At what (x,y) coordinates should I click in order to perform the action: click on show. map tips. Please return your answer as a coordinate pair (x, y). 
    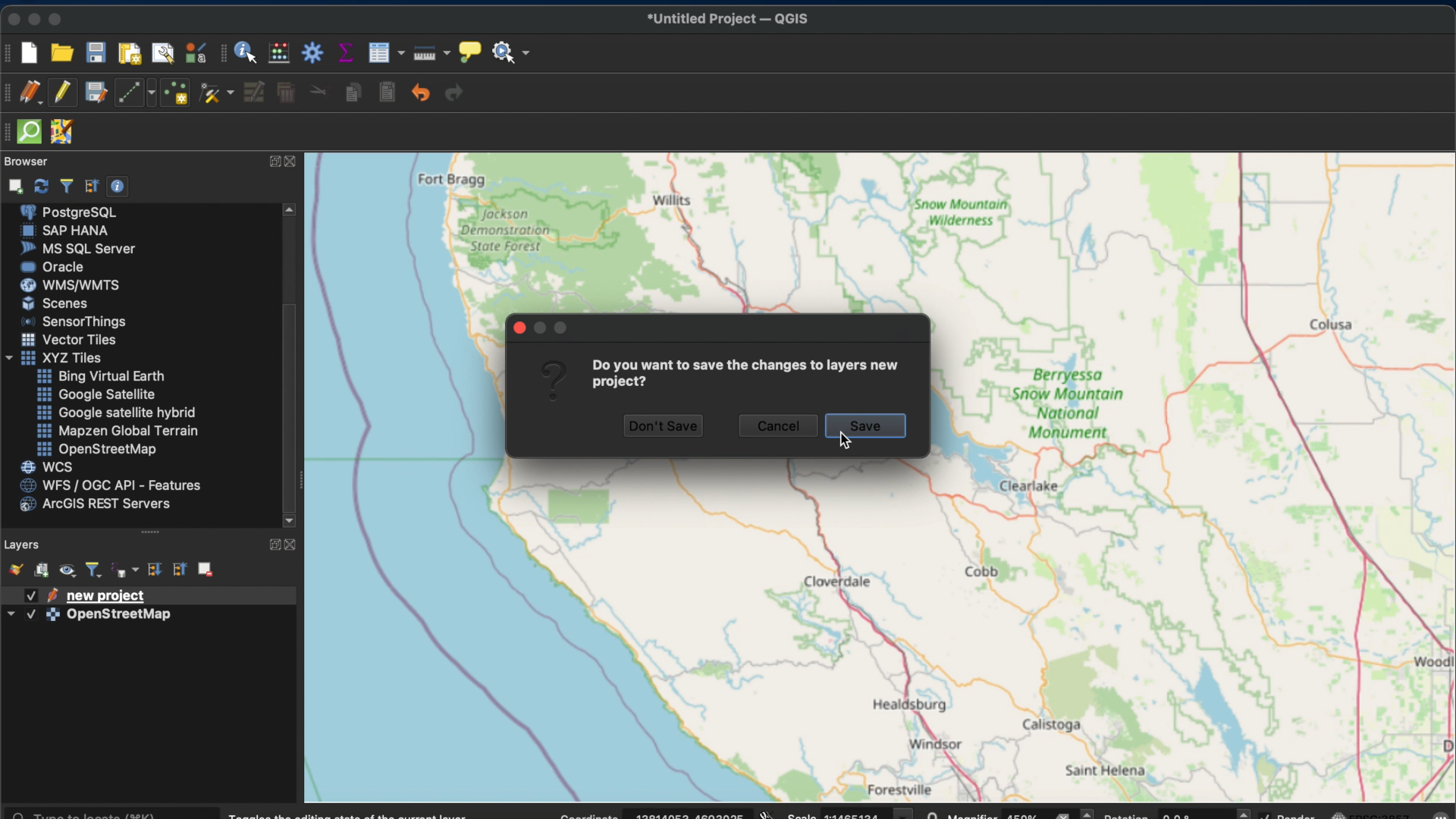
    Looking at the image, I should click on (468, 51).